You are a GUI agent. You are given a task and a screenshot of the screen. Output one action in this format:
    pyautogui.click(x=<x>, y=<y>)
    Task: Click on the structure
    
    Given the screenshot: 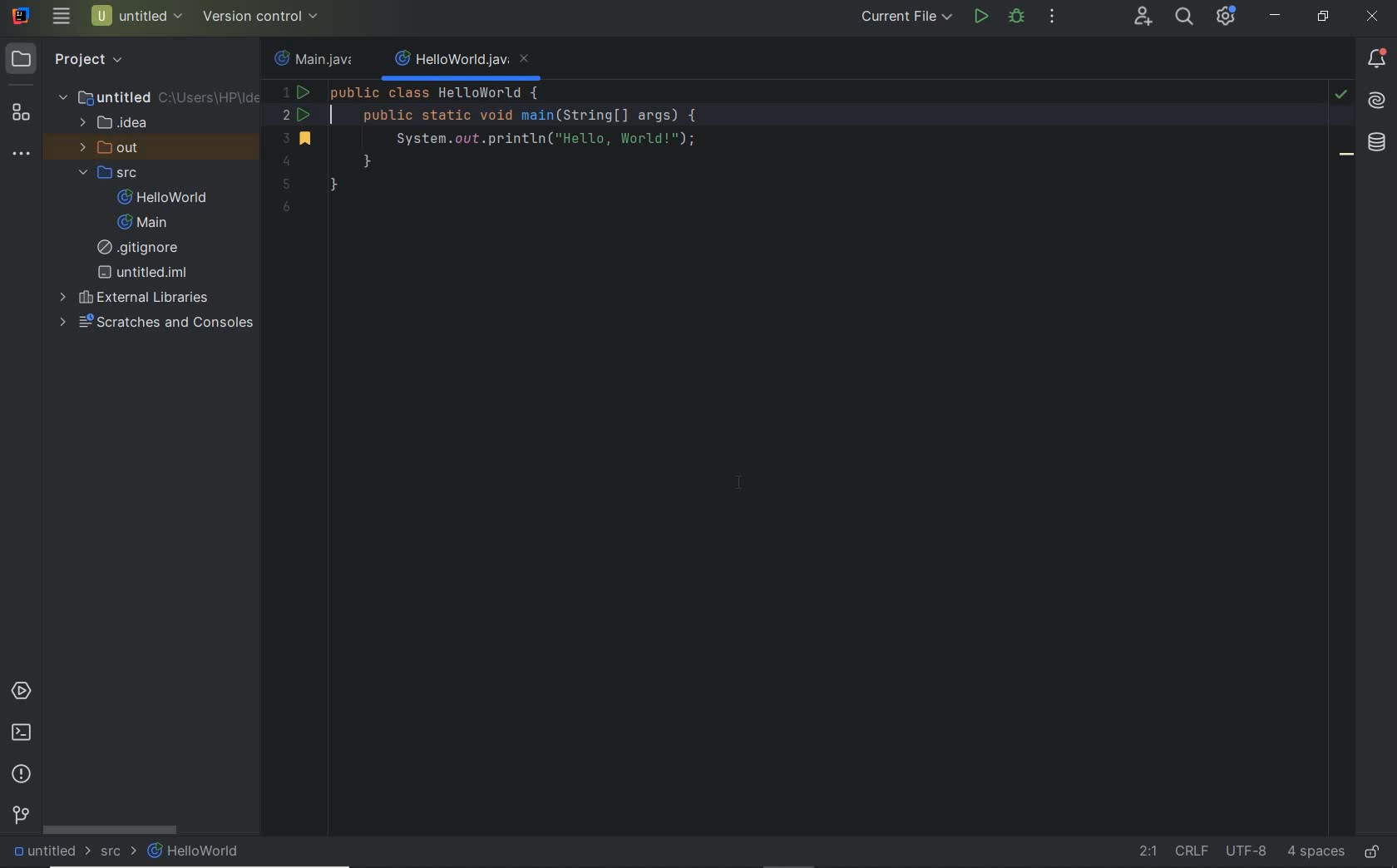 What is the action you would take?
    pyautogui.click(x=20, y=114)
    